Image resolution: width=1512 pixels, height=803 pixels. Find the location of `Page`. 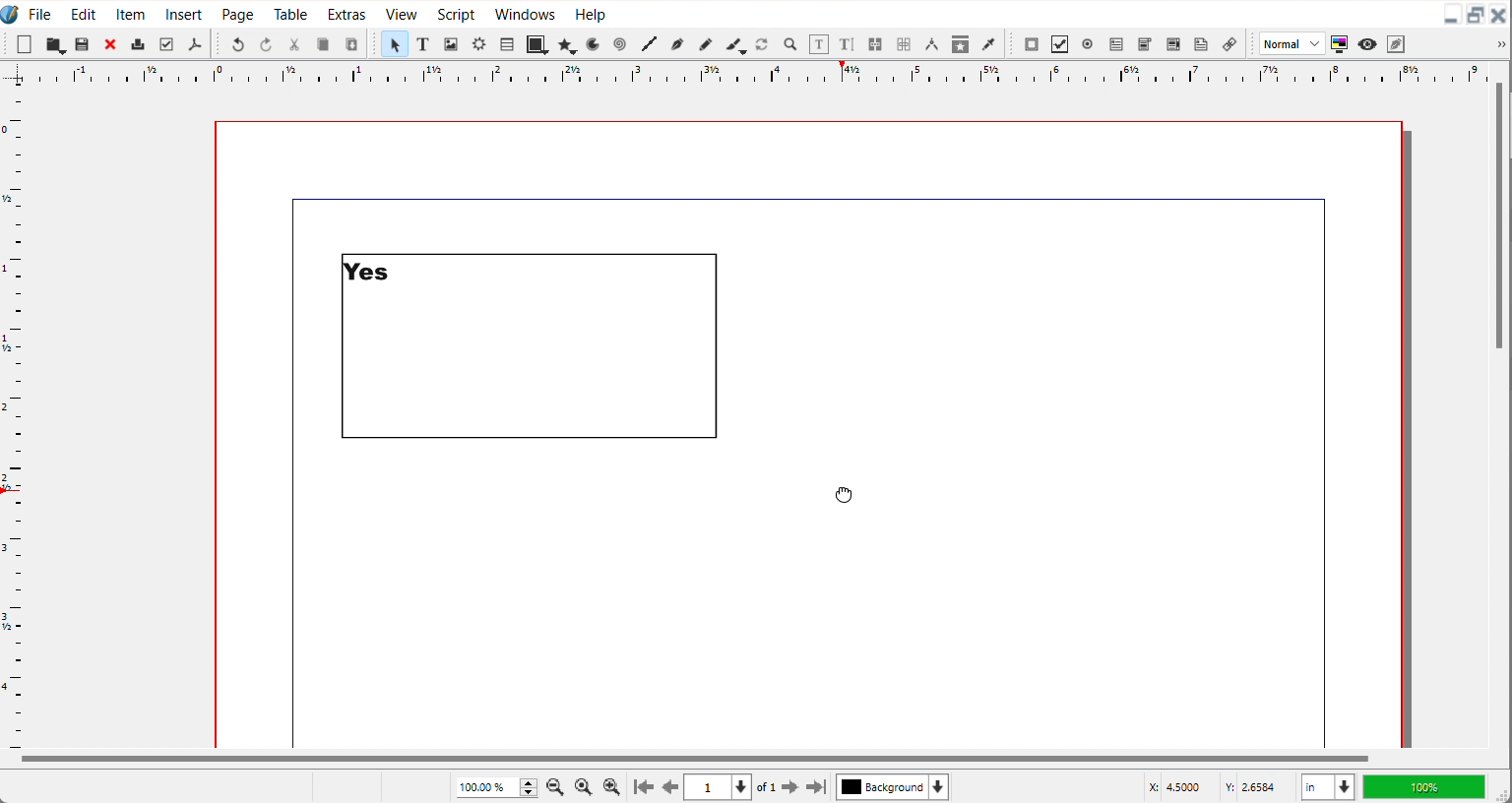

Page is located at coordinates (237, 13).